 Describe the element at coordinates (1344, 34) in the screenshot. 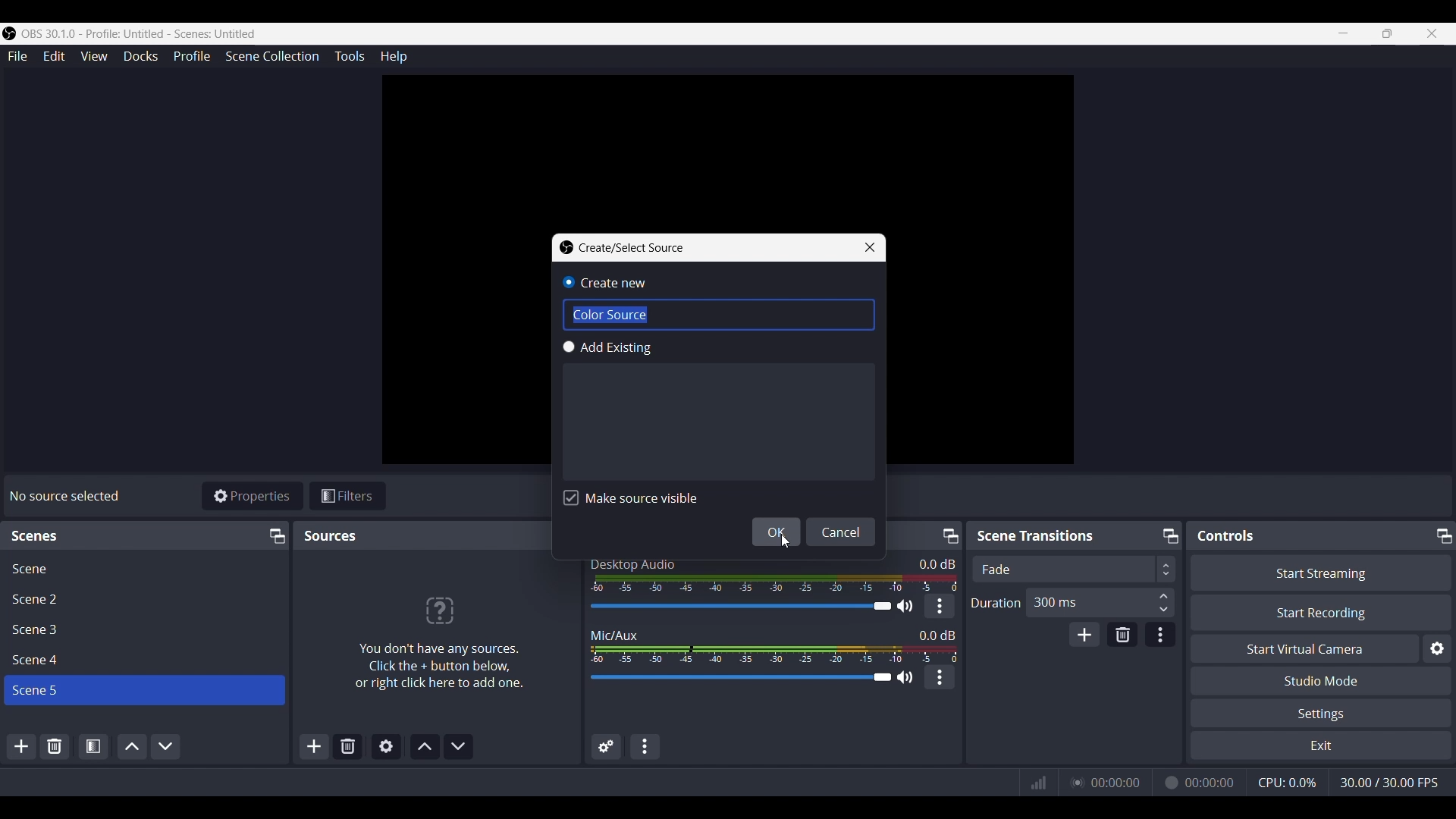

I see `Minimize` at that location.